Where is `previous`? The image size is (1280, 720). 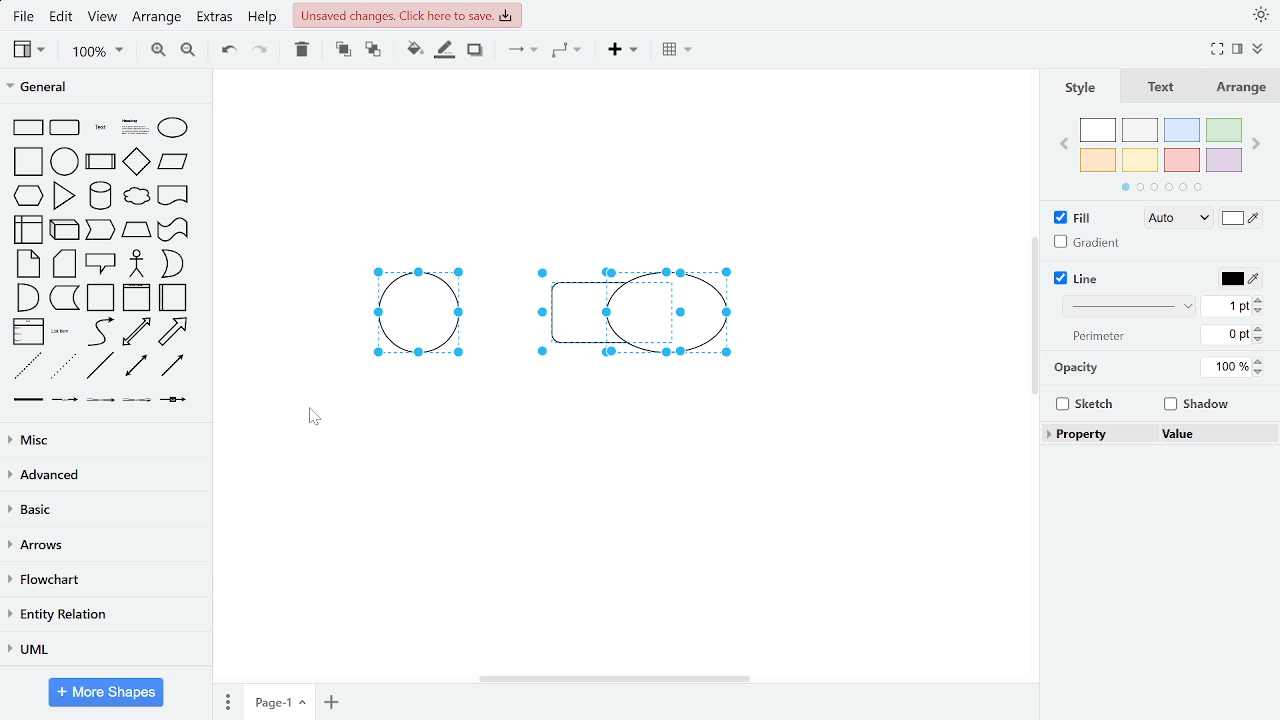 previous is located at coordinates (1064, 146).